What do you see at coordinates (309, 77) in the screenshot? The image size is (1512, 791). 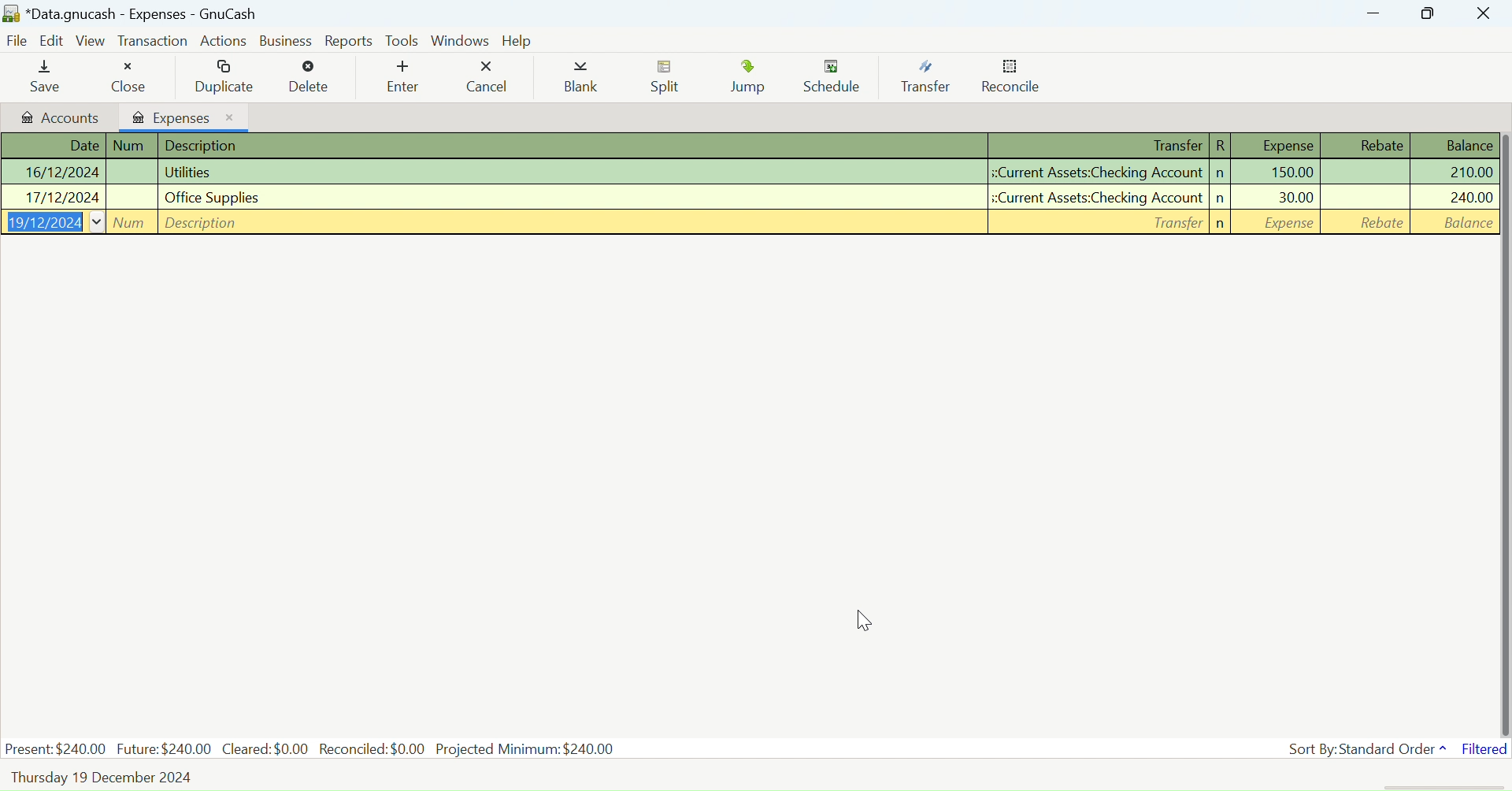 I see `Delete` at bounding box center [309, 77].